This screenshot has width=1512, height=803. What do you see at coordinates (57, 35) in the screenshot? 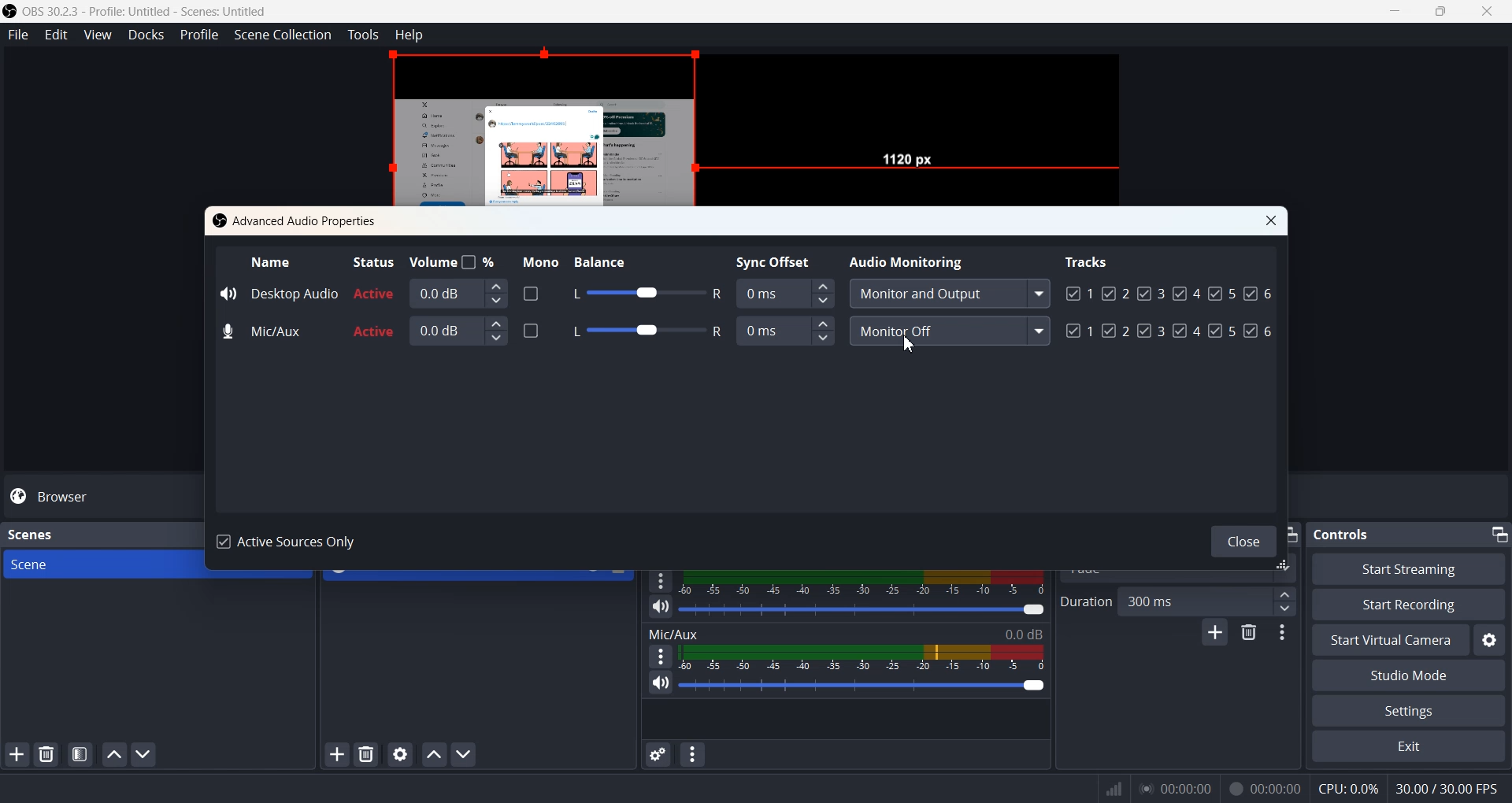
I see `Edit` at bounding box center [57, 35].